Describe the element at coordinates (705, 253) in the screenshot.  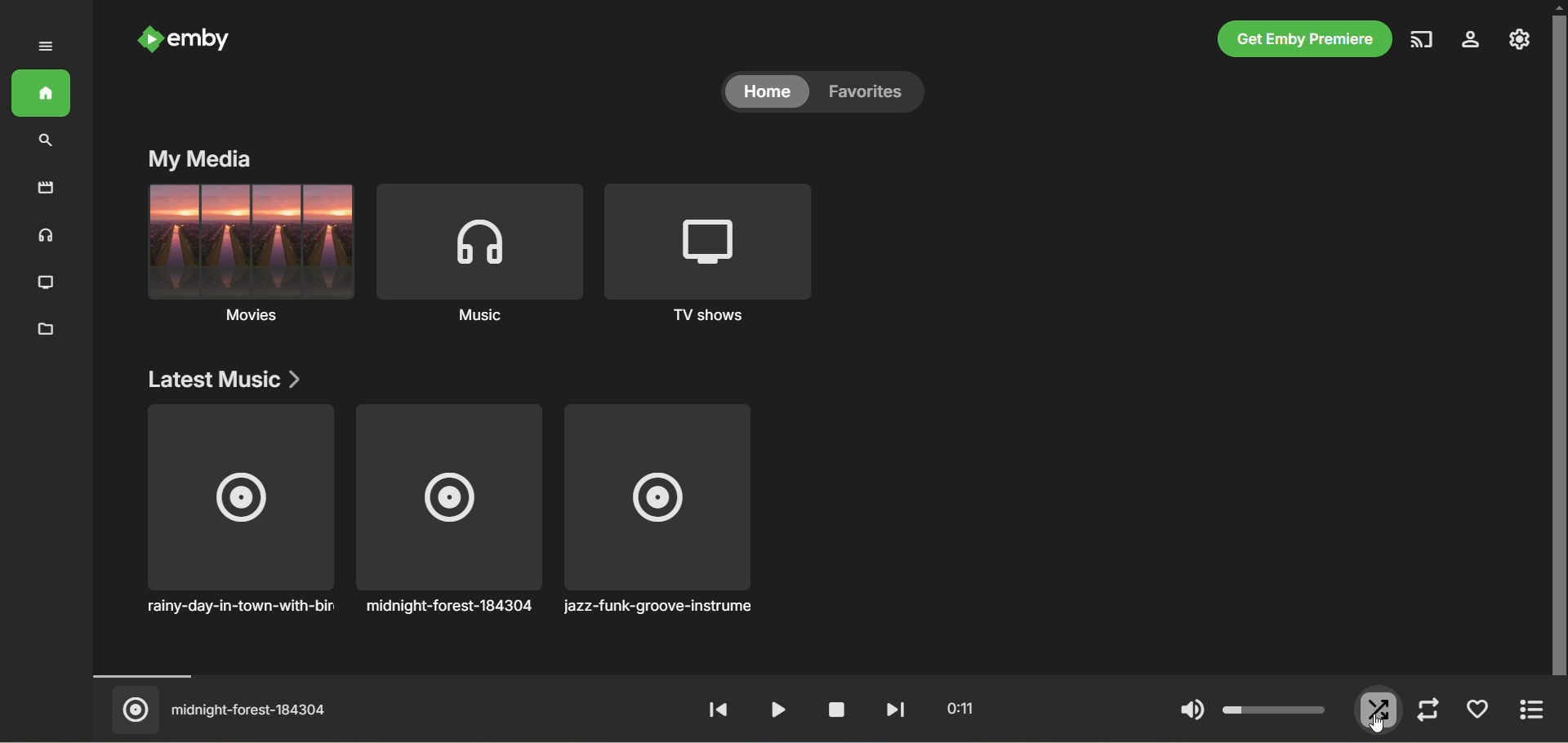
I see `TV shows` at that location.